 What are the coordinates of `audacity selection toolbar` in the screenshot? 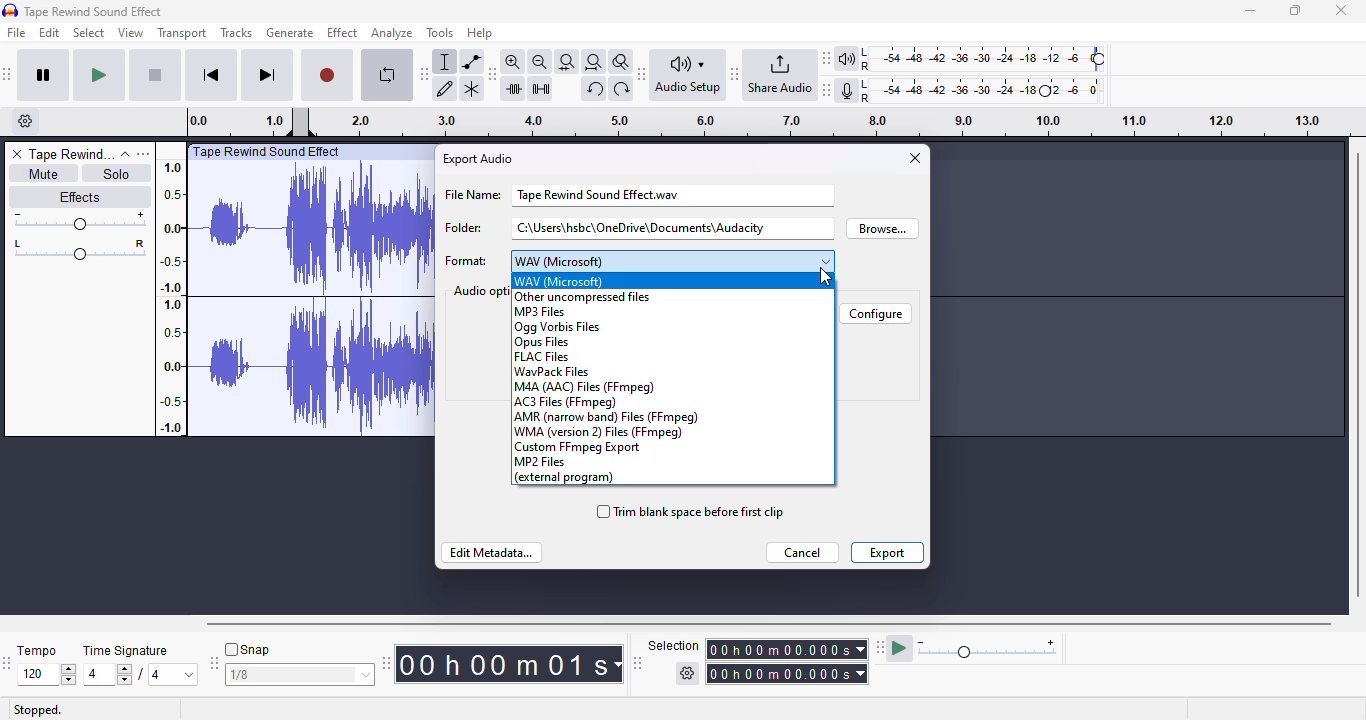 It's located at (751, 660).